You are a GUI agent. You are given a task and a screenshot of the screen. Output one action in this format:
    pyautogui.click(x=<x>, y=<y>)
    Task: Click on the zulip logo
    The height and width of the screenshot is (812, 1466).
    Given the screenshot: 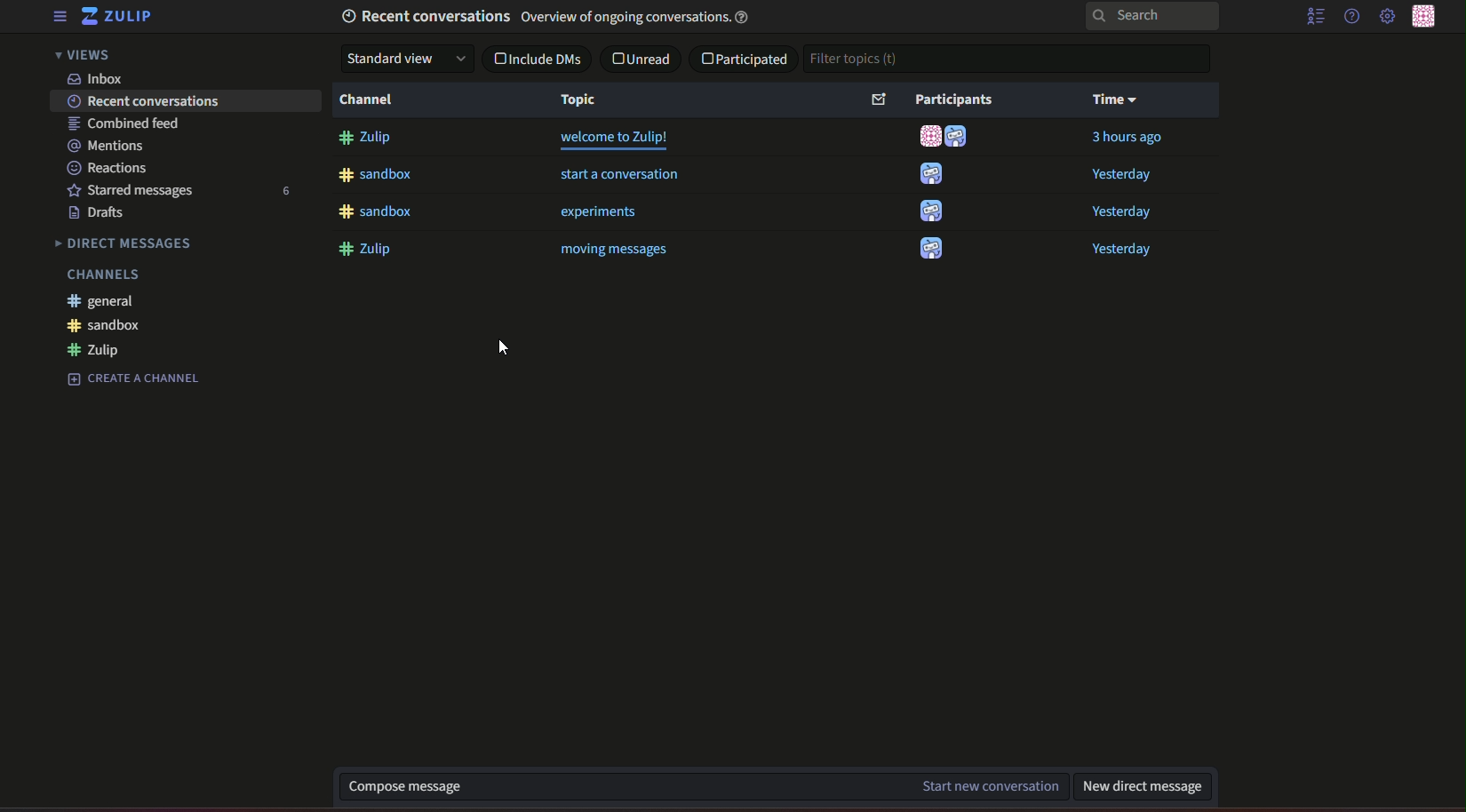 What is the action you would take?
    pyautogui.click(x=120, y=18)
    